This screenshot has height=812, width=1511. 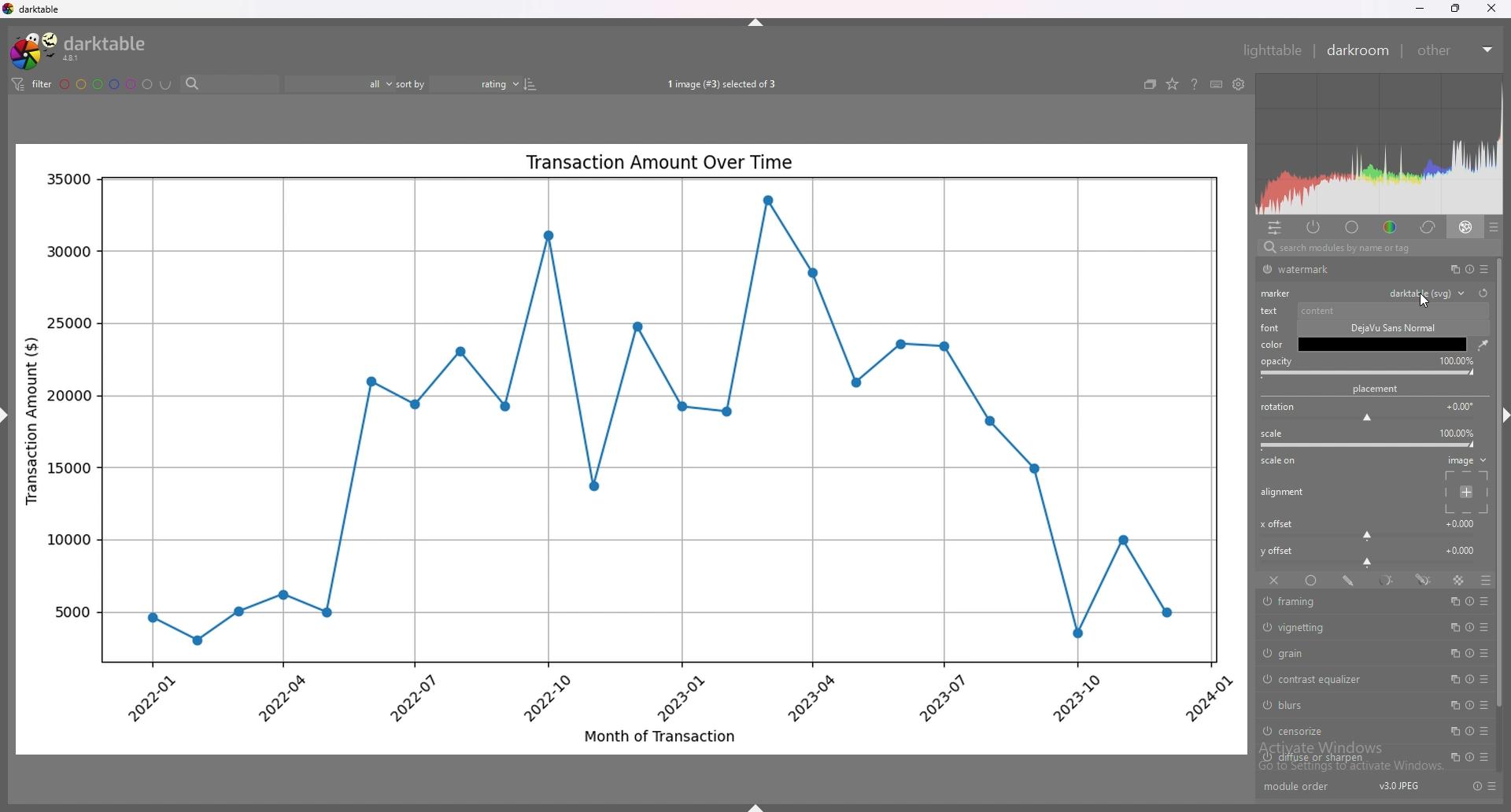 I want to click on minimize, so click(x=1419, y=9).